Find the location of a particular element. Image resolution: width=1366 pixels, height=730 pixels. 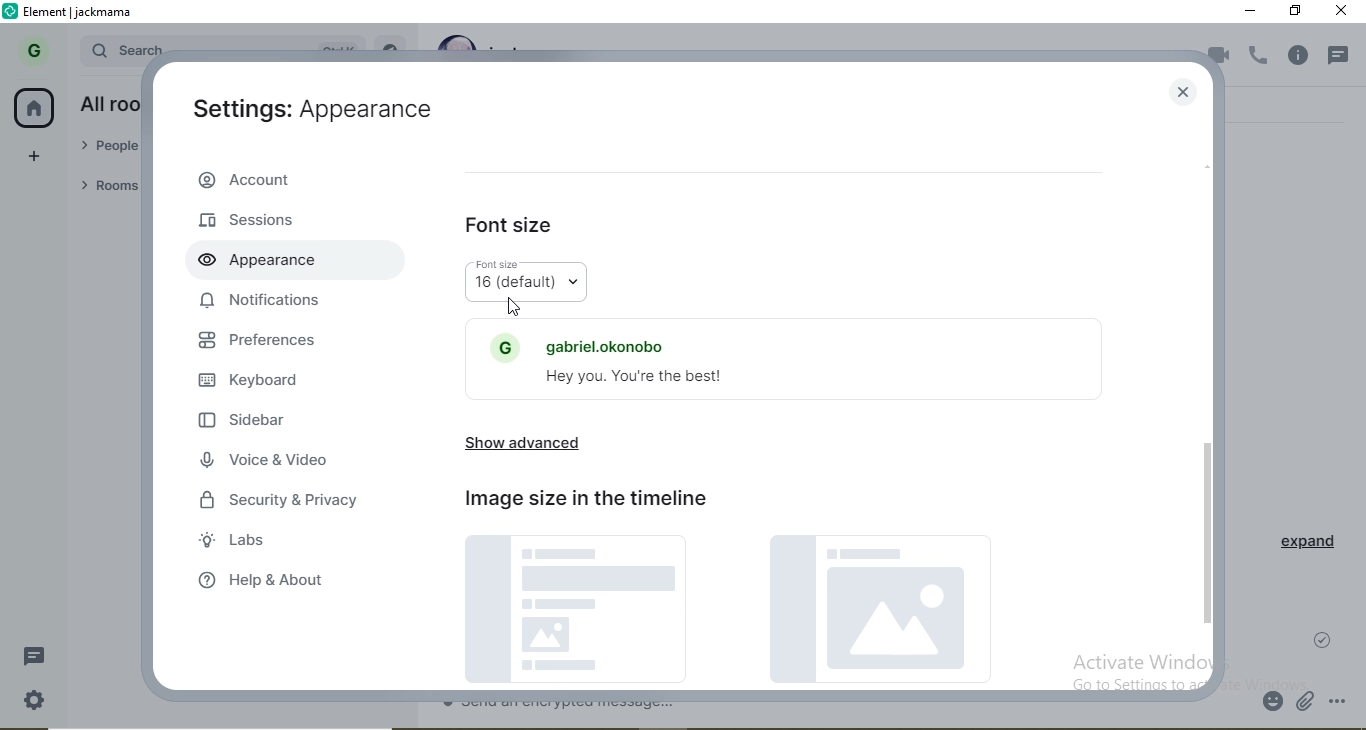

sidebar is located at coordinates (244, 423).